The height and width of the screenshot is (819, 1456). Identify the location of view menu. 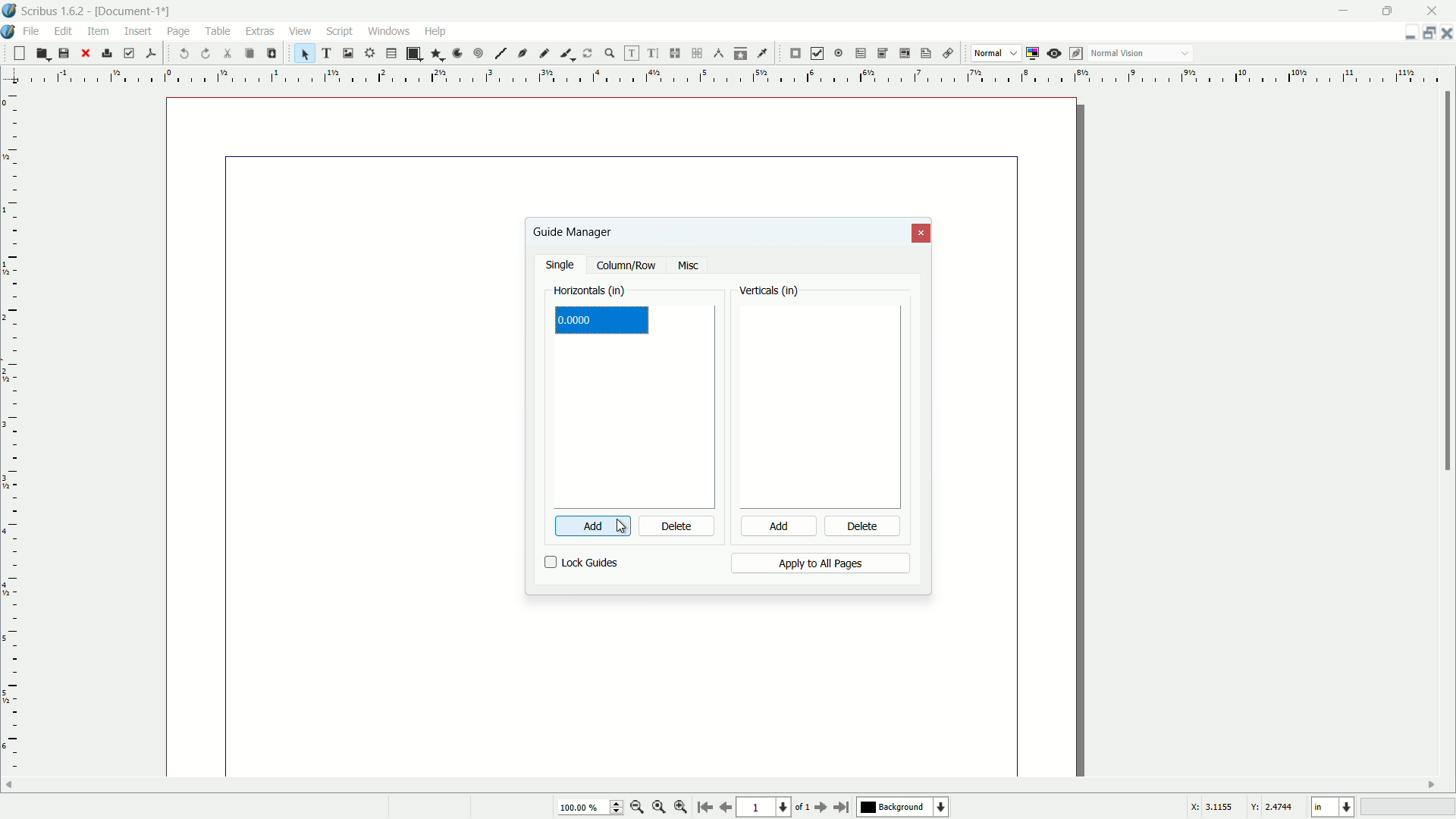
(298, 31).